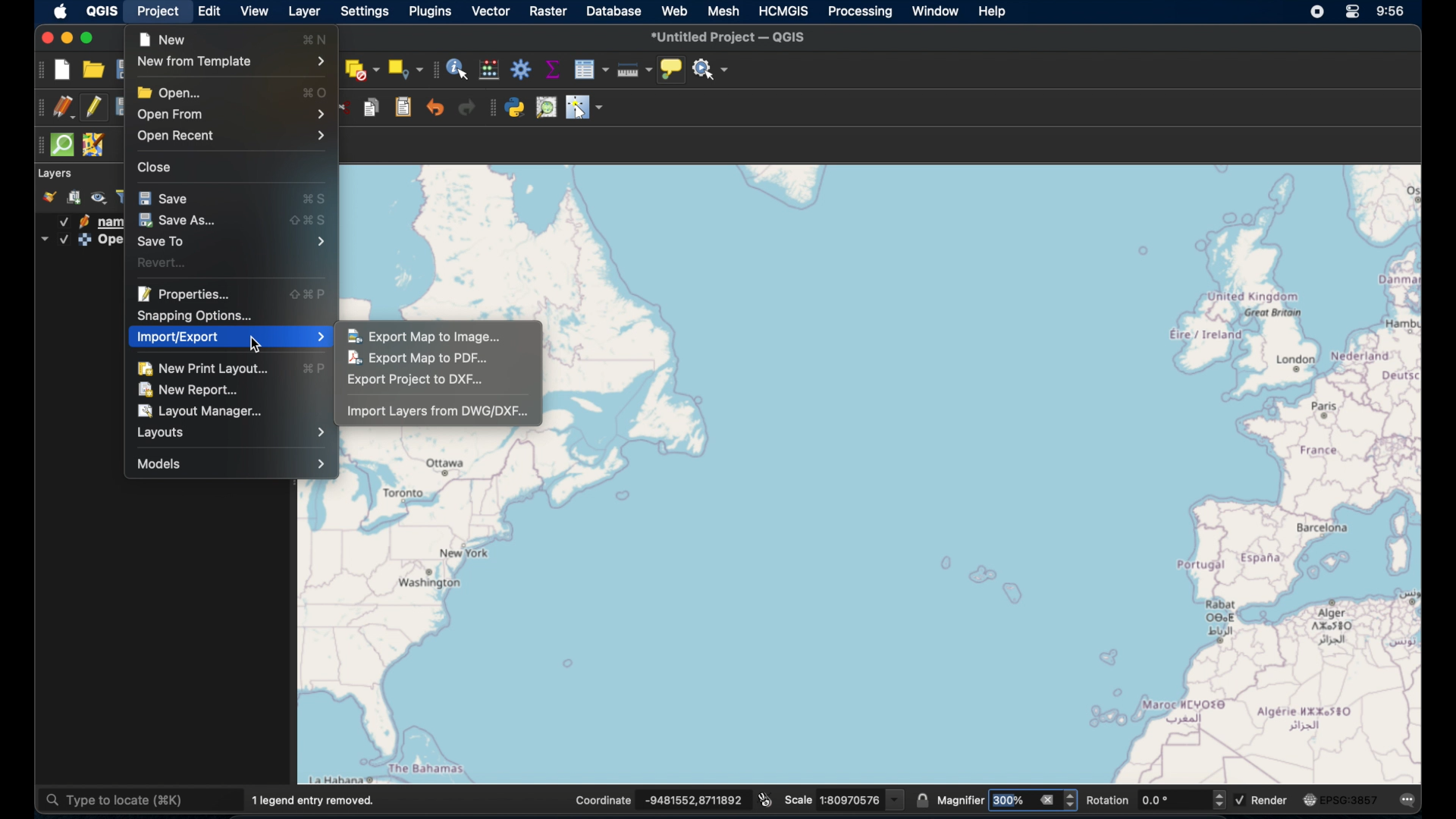 Image resolution: width=1456 pixels, height=819 pixels. Describe the element at coordinates (139, 799) in the screenshot. I see `type to locate` at that location.